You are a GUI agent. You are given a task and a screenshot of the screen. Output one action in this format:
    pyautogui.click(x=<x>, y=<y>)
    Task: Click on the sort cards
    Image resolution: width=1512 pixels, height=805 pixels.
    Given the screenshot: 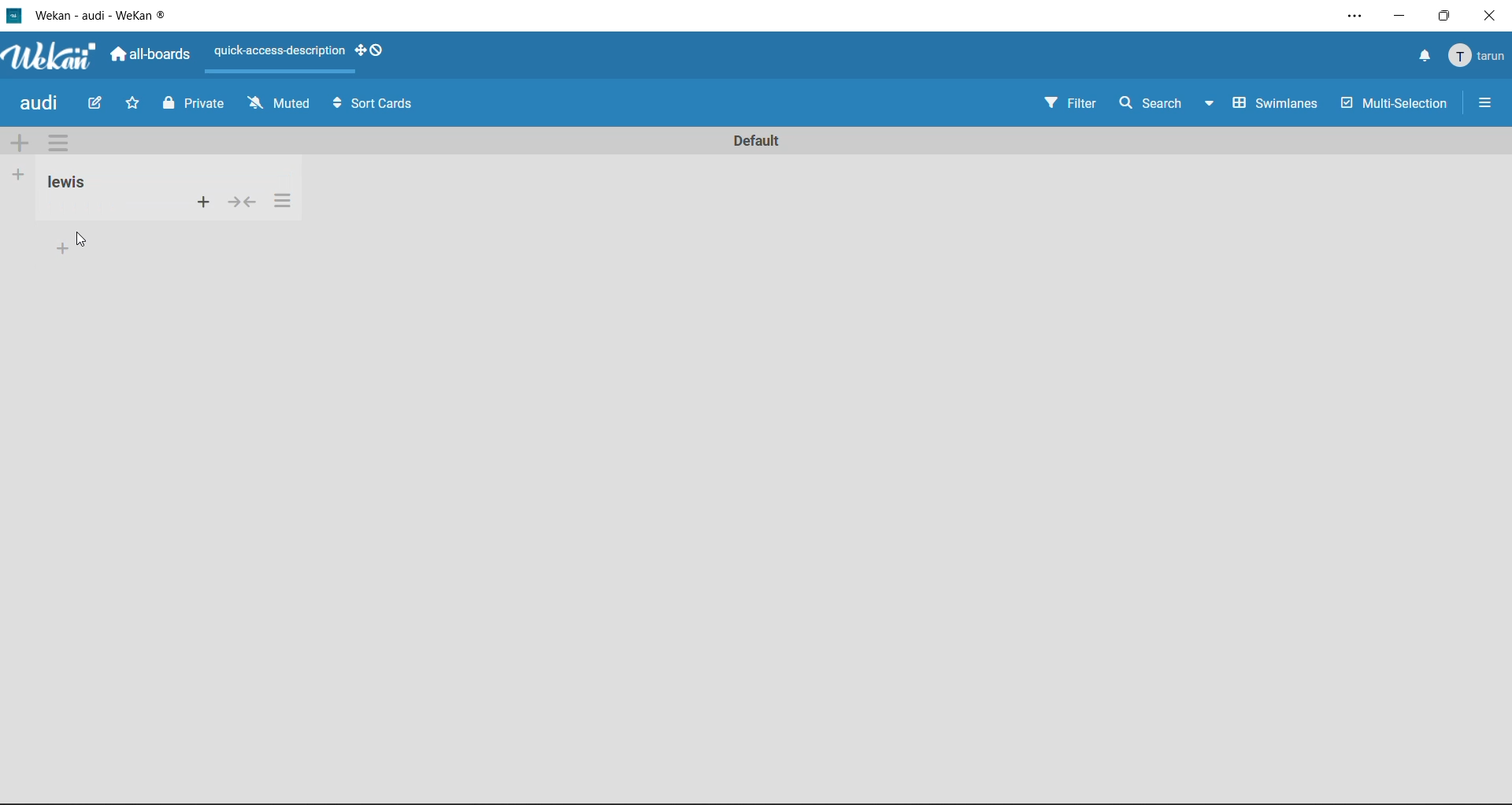 What is the action you would take?
    pyautogui.click(x=386, y=106)
    